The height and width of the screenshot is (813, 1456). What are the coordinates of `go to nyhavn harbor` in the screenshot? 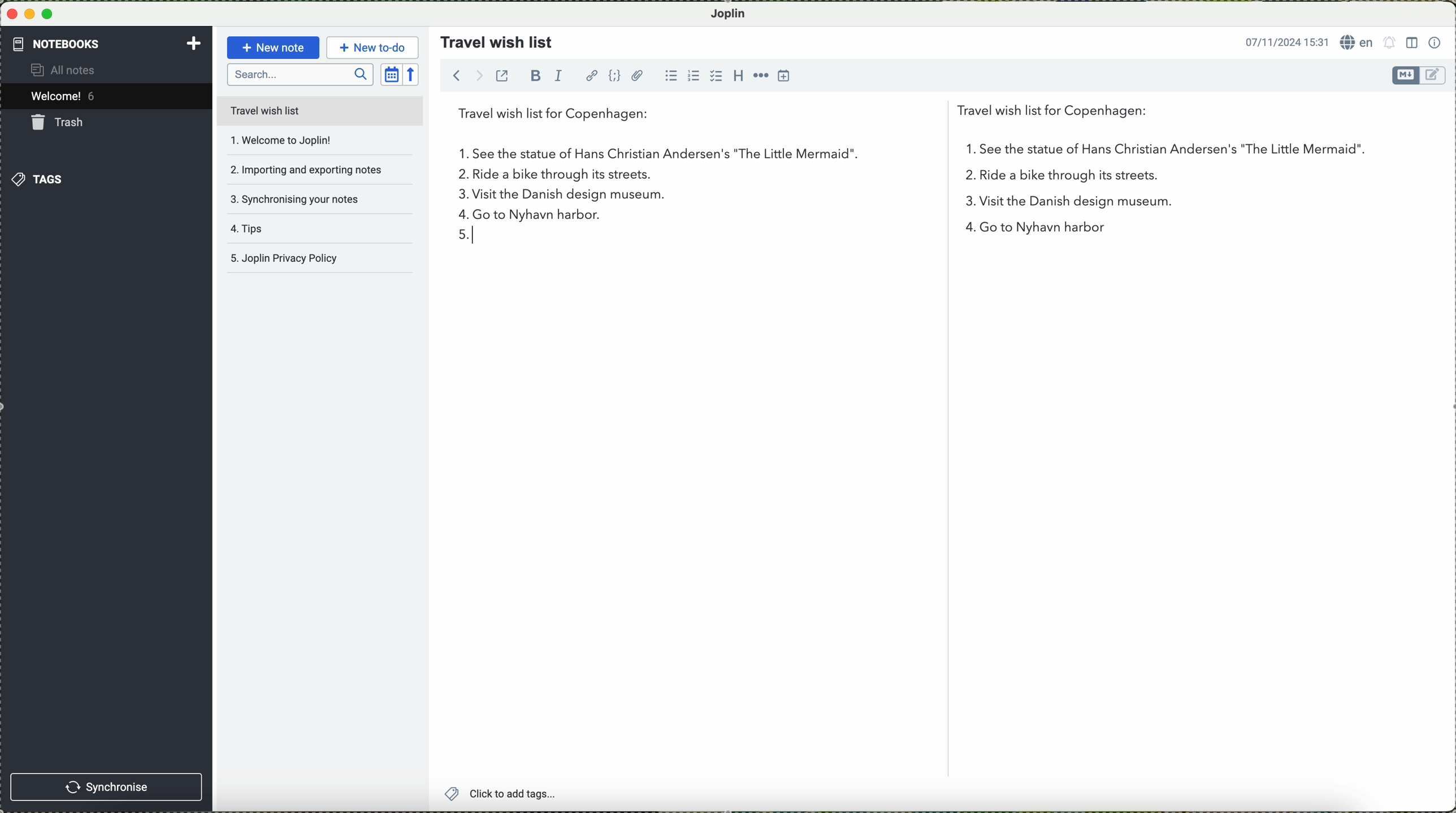 It's located at (808, 217).